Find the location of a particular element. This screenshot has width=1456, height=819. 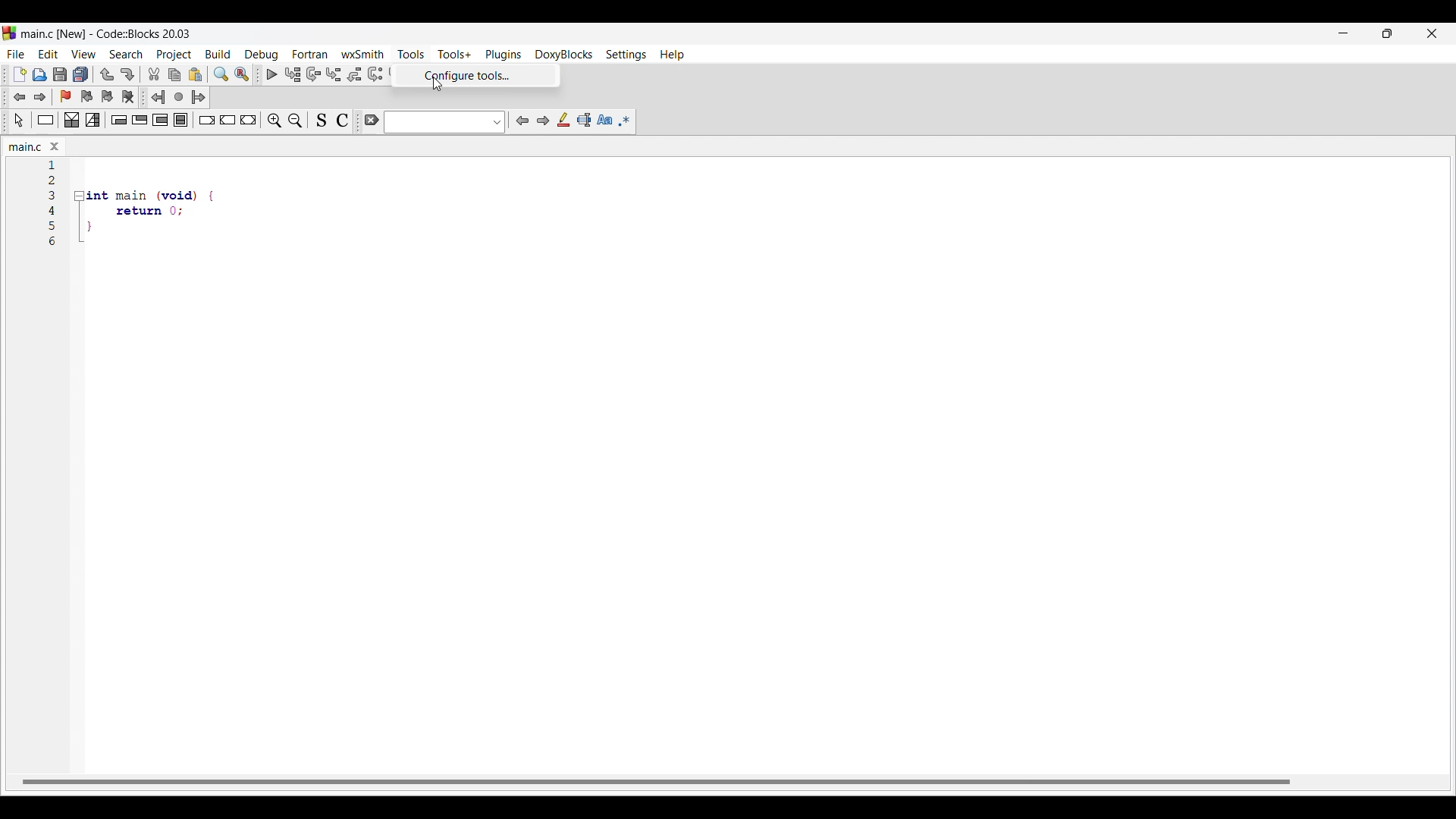

Project menu is located at coordinates (174, 55).